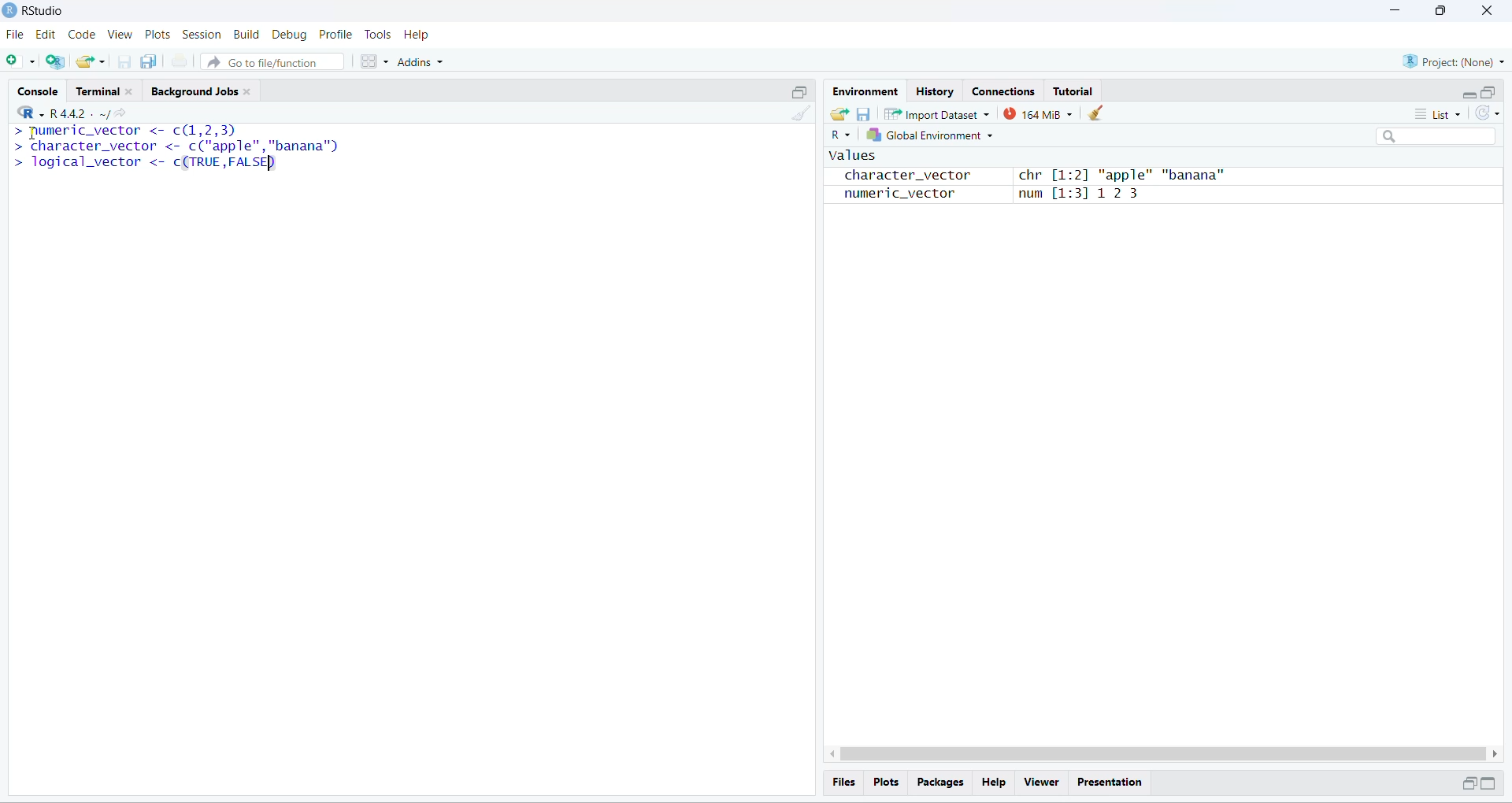 The height and width of the screenshot is (803, 1512). I want to click on R, so click(839, 135).